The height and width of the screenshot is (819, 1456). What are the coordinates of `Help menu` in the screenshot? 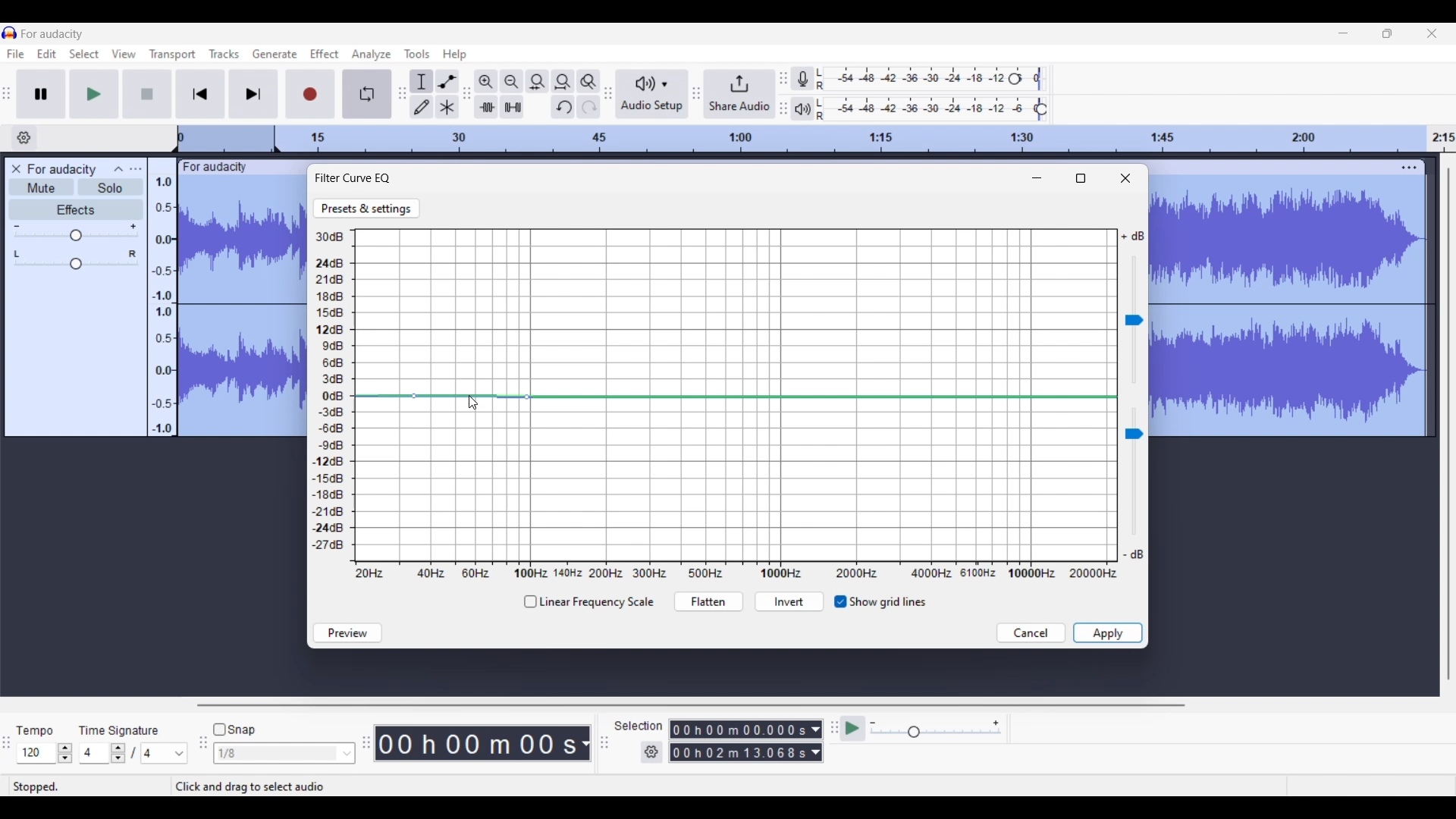 It's located at (454, 55).